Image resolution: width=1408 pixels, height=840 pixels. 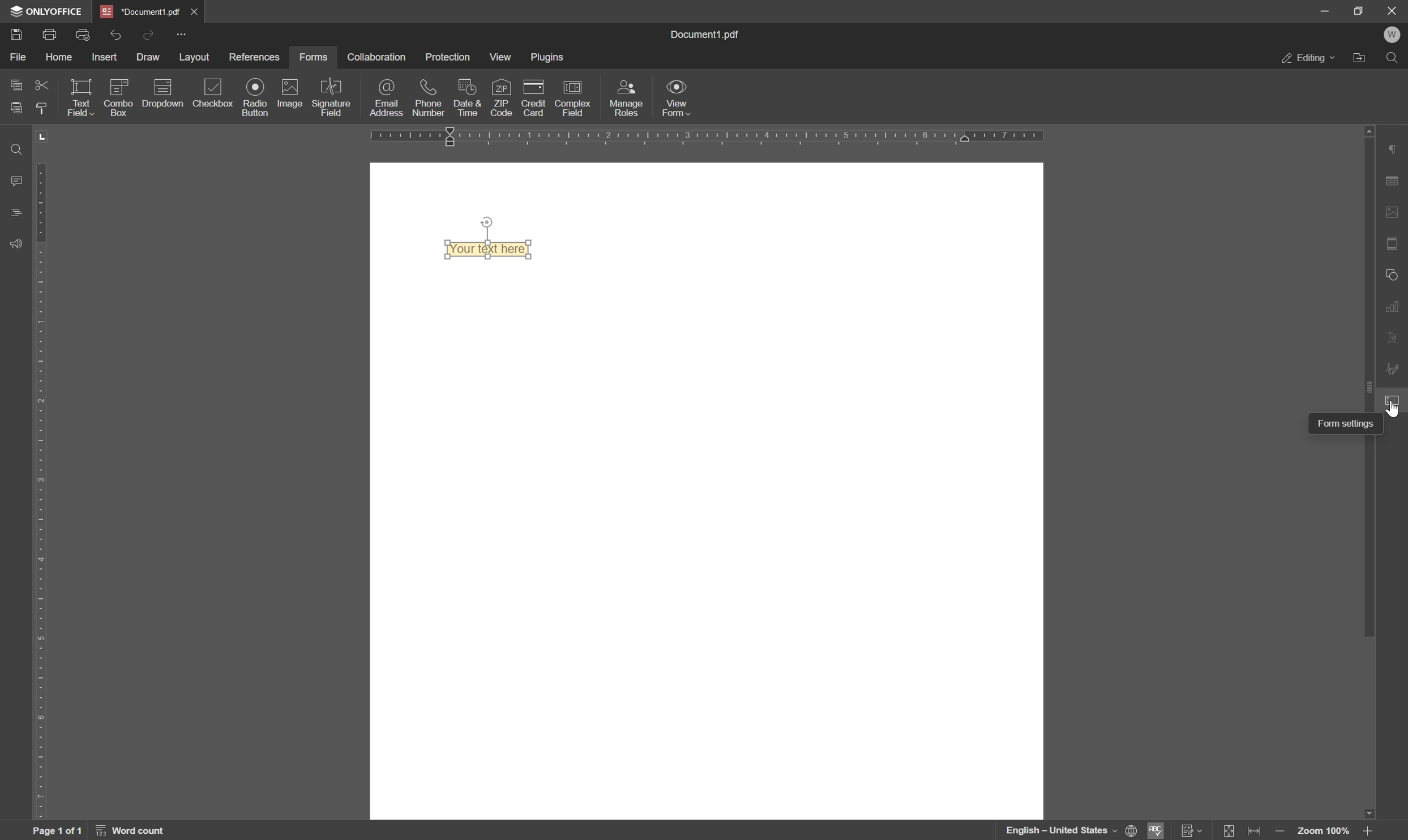 What do you see at coordinates (1392, 12) in the screenshot?
I see `close` at bounding box center [1392, 12].